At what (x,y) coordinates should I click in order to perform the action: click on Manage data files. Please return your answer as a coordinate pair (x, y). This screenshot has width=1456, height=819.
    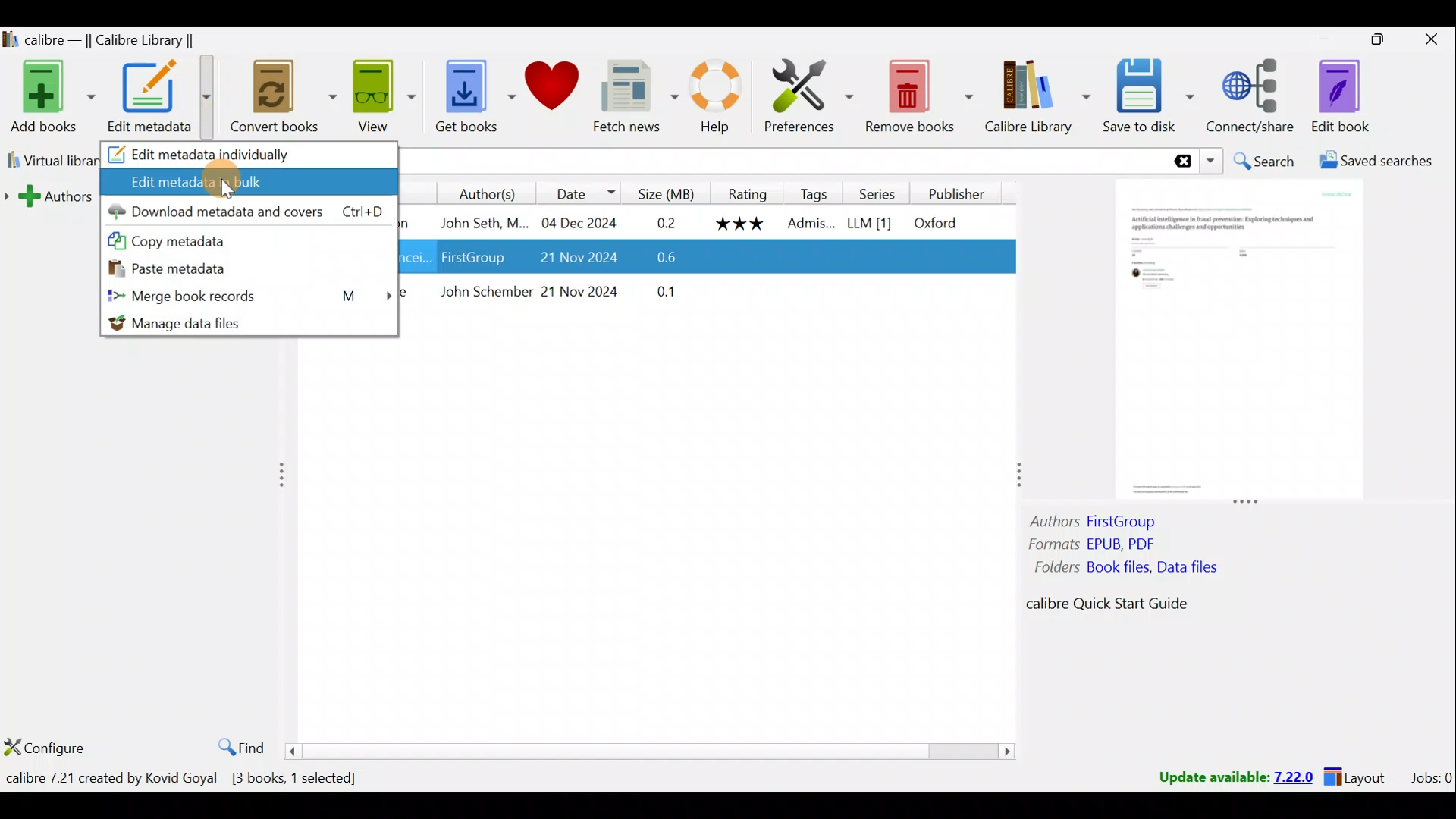
    Looking at the image, I should click on (213, 324).